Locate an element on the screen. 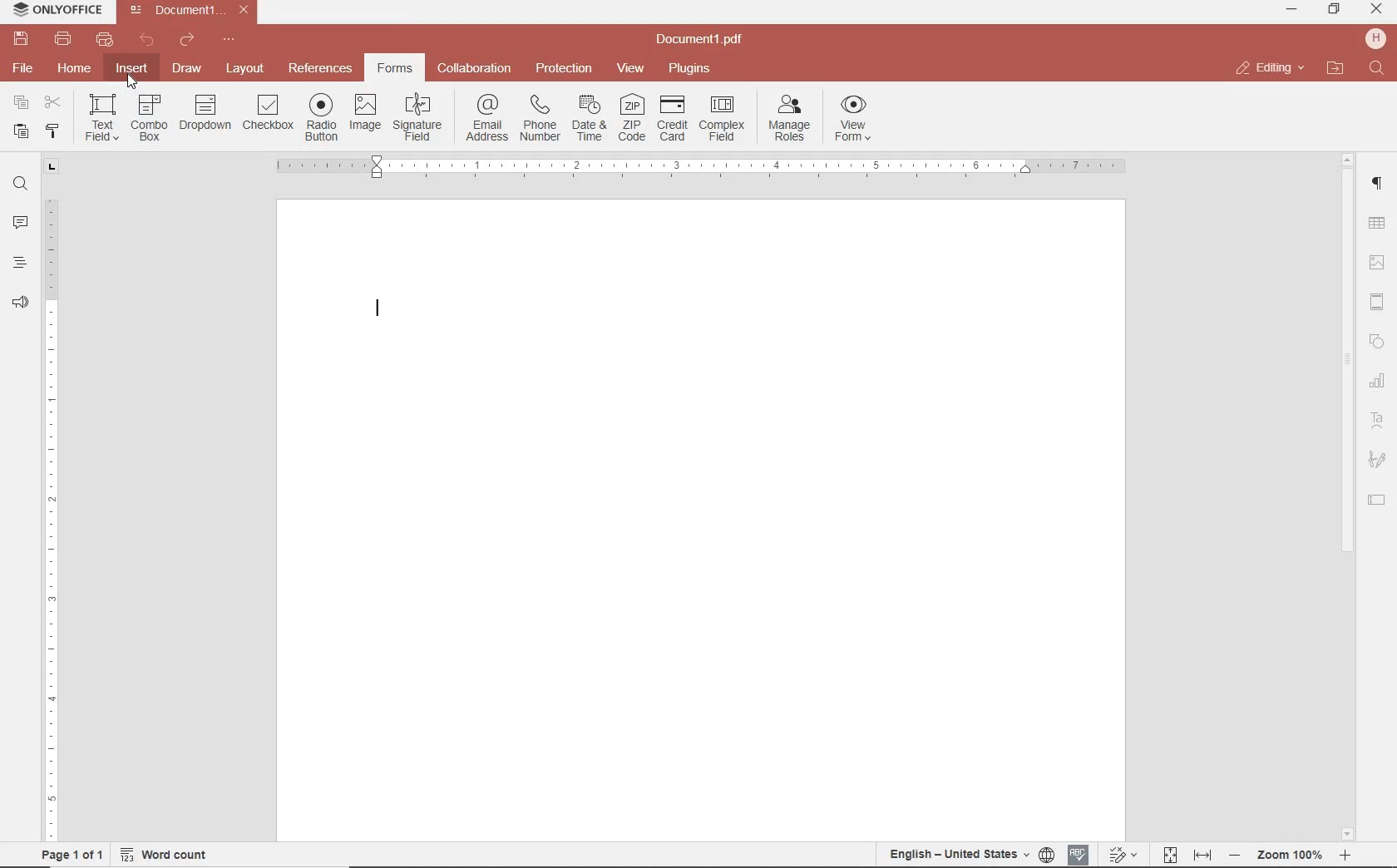  plugins is located at coordinates (693, 69).